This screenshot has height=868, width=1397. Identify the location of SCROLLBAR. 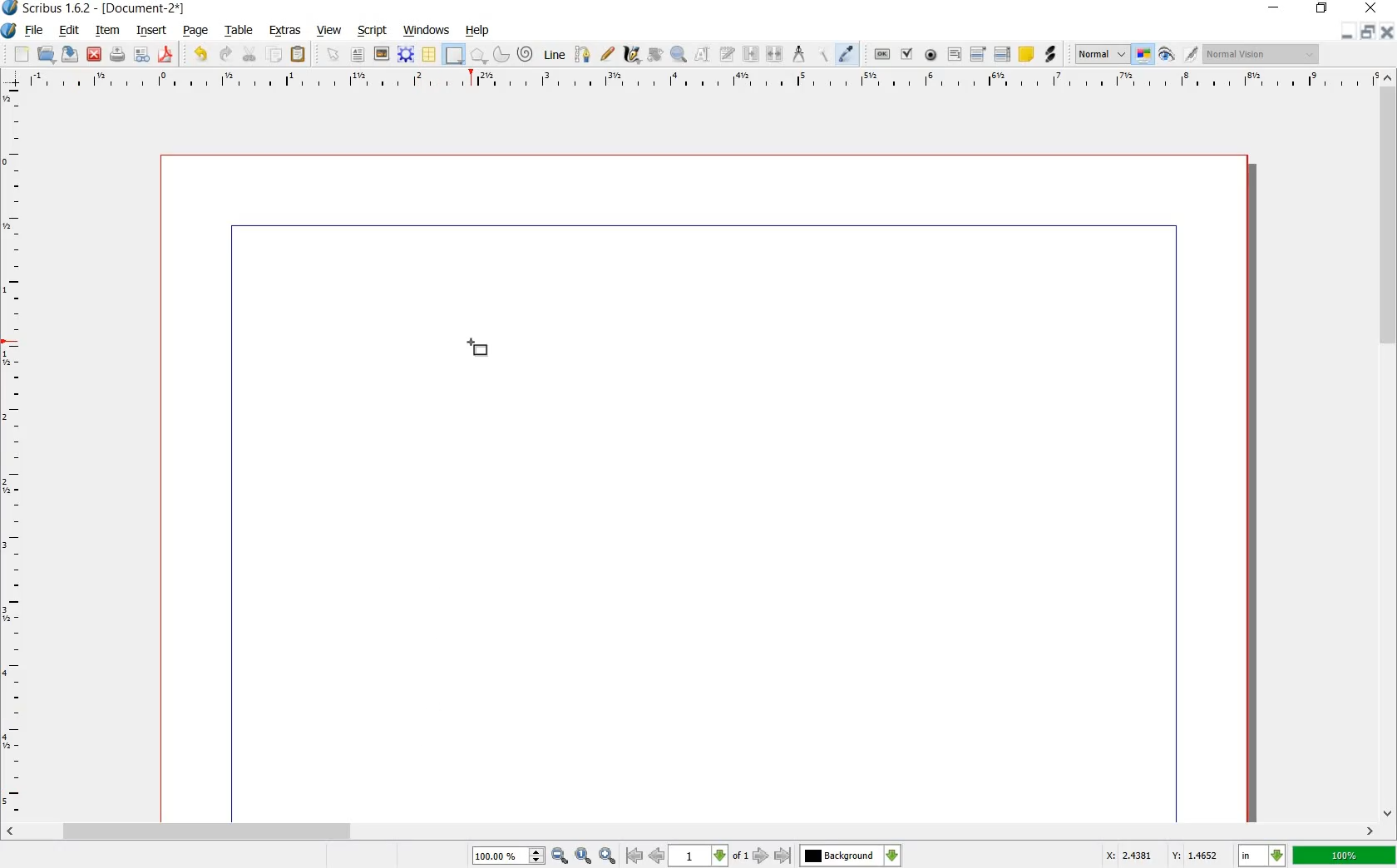
(1389, 446).